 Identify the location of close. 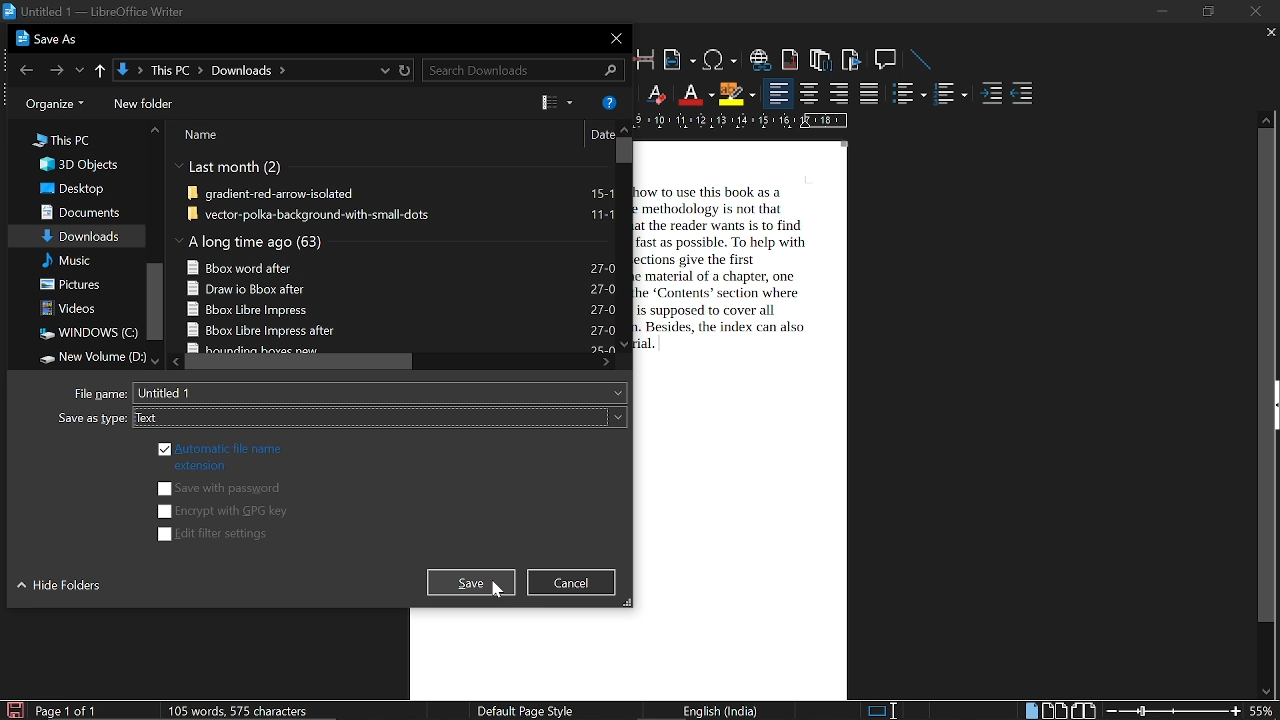
(613, 38).